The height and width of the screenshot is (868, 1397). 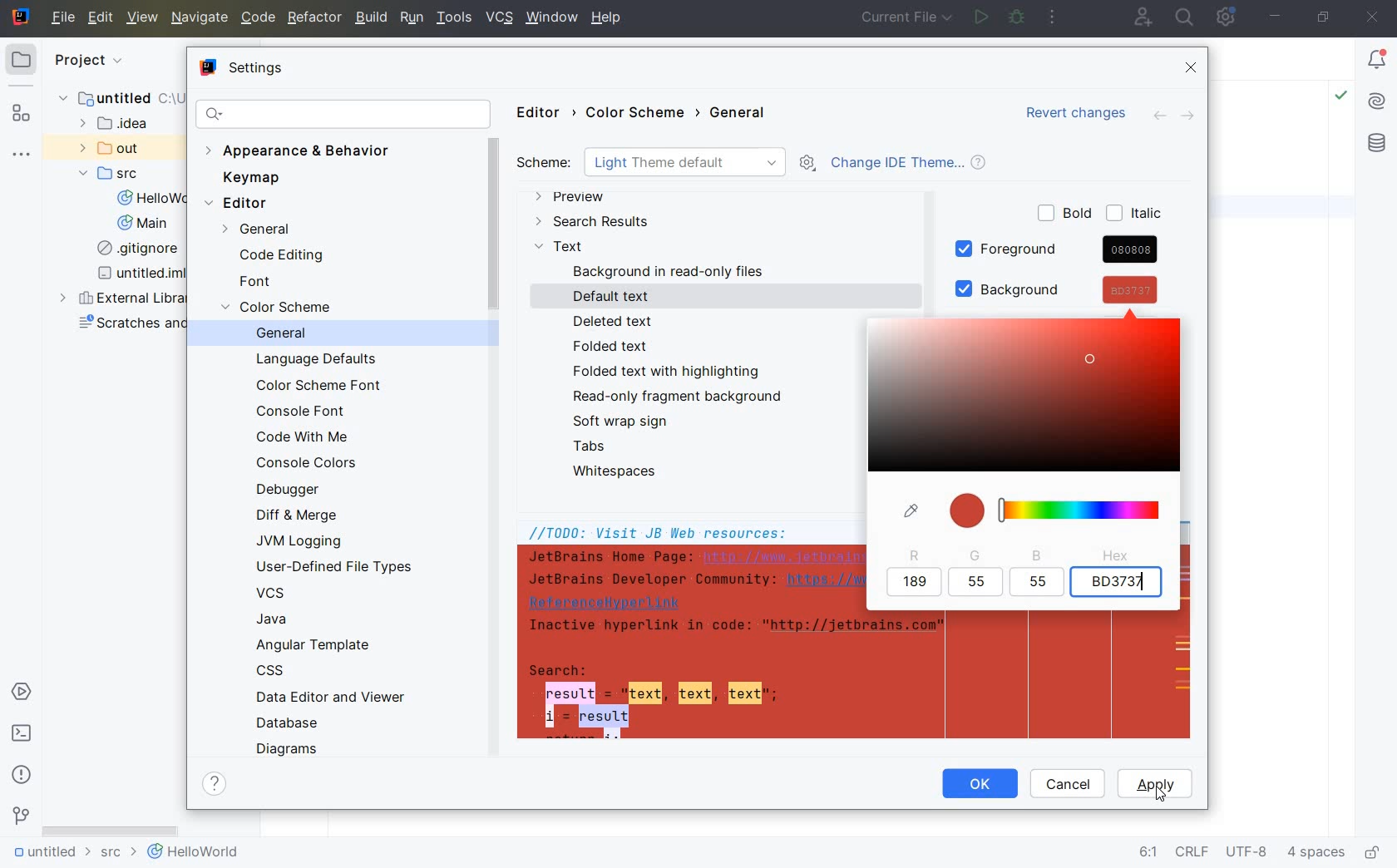 What do you see at coordinates (143, 18) in the screenshot?
I see `VIEW` at bounding box center [143, 18].